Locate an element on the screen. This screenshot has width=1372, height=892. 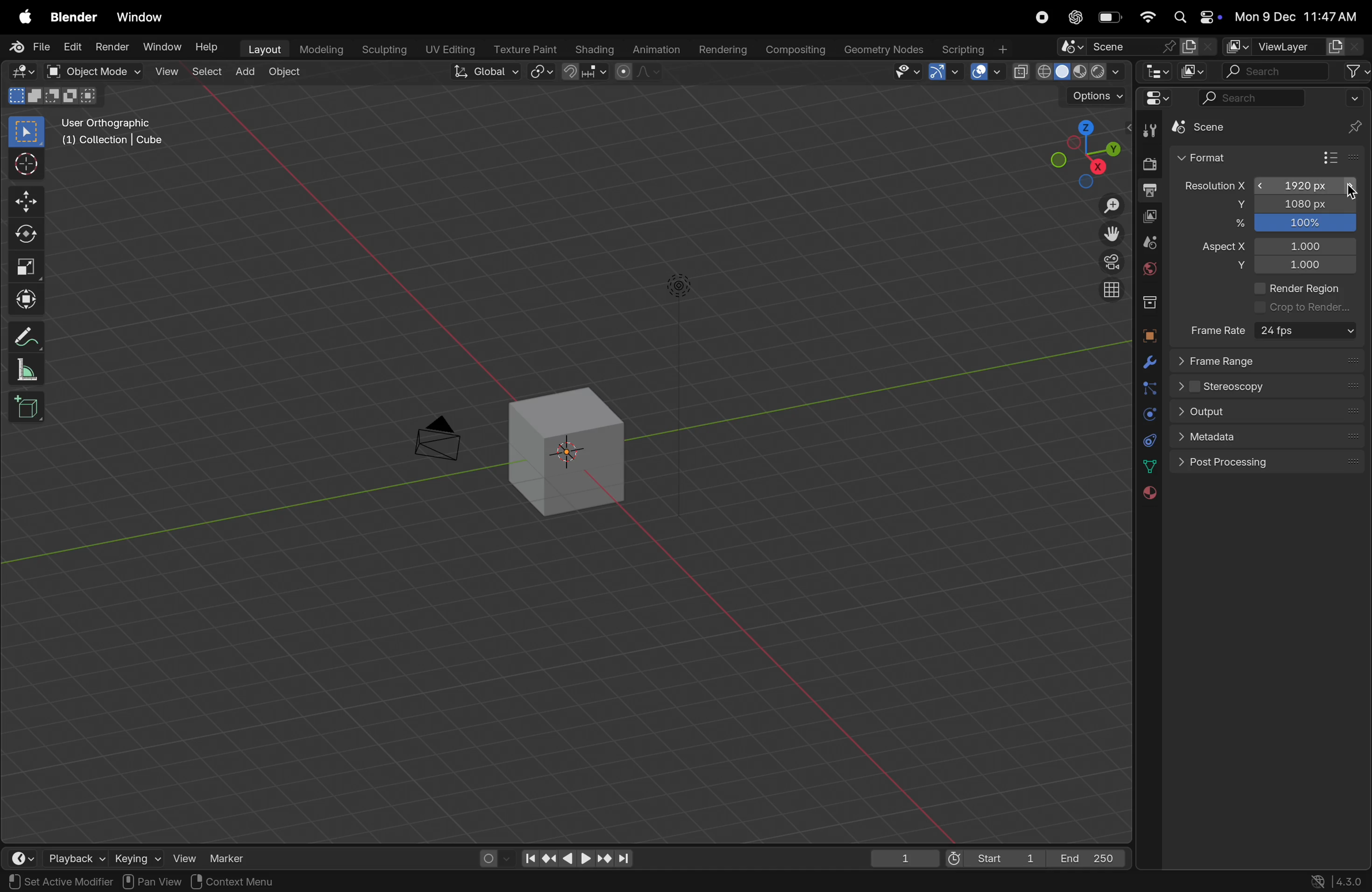
scale is located at coordinates (24, 267).